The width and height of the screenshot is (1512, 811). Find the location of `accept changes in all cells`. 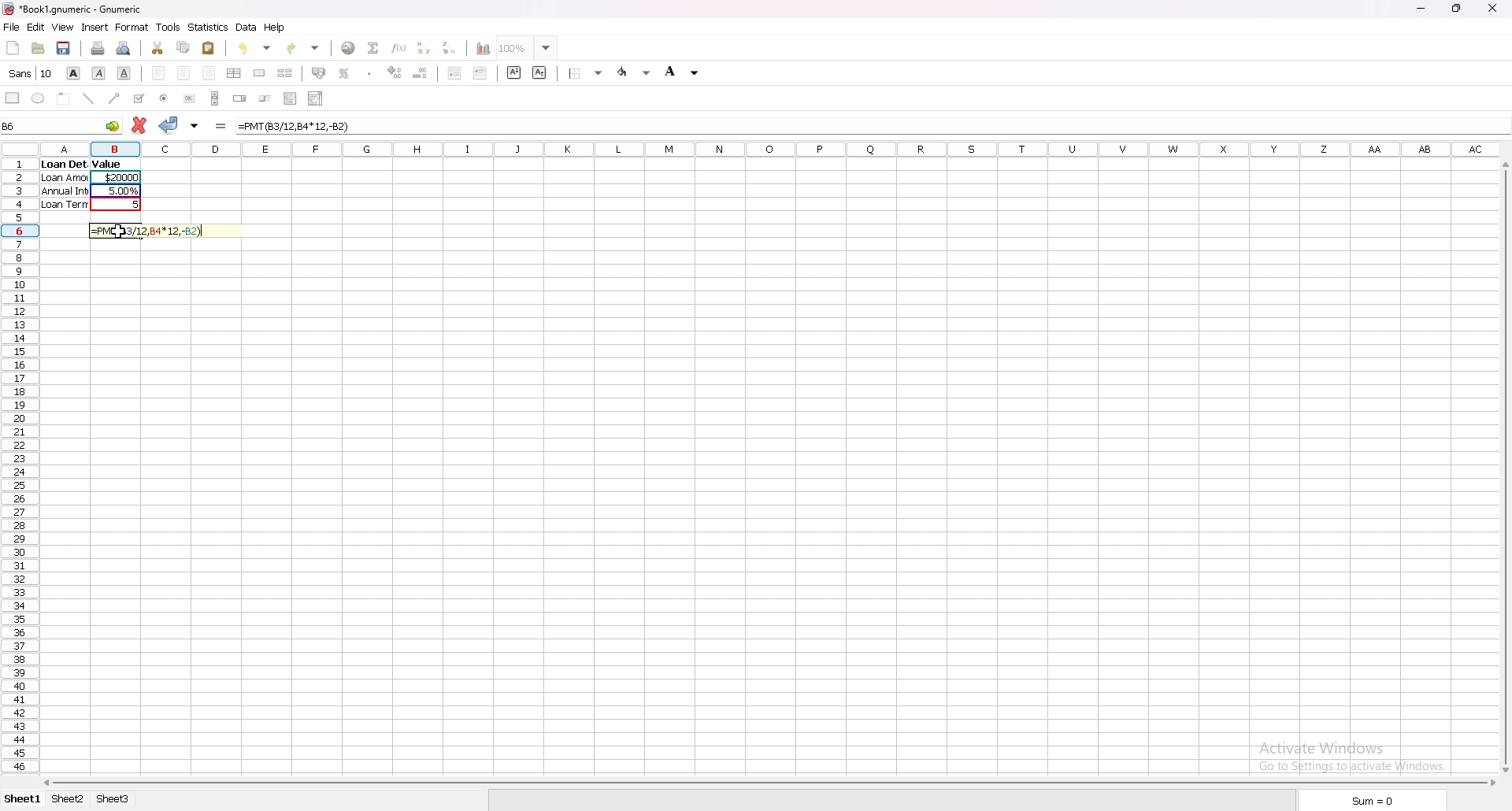

accept changes in all cells is located at coordinates (195, 127).